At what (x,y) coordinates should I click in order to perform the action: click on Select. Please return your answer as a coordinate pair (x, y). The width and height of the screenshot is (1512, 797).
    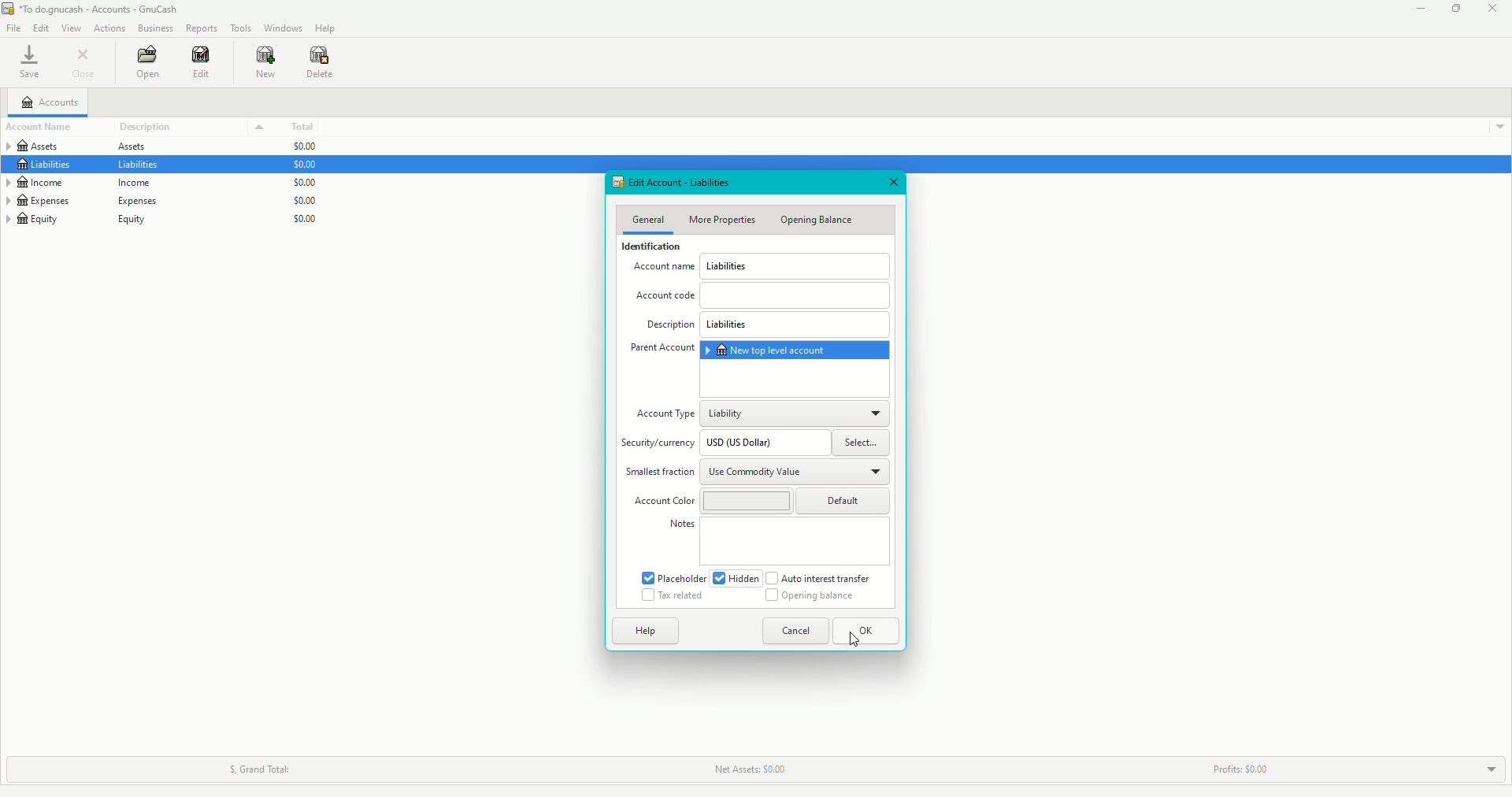
    Looking at the image, I should click on (861, 443).